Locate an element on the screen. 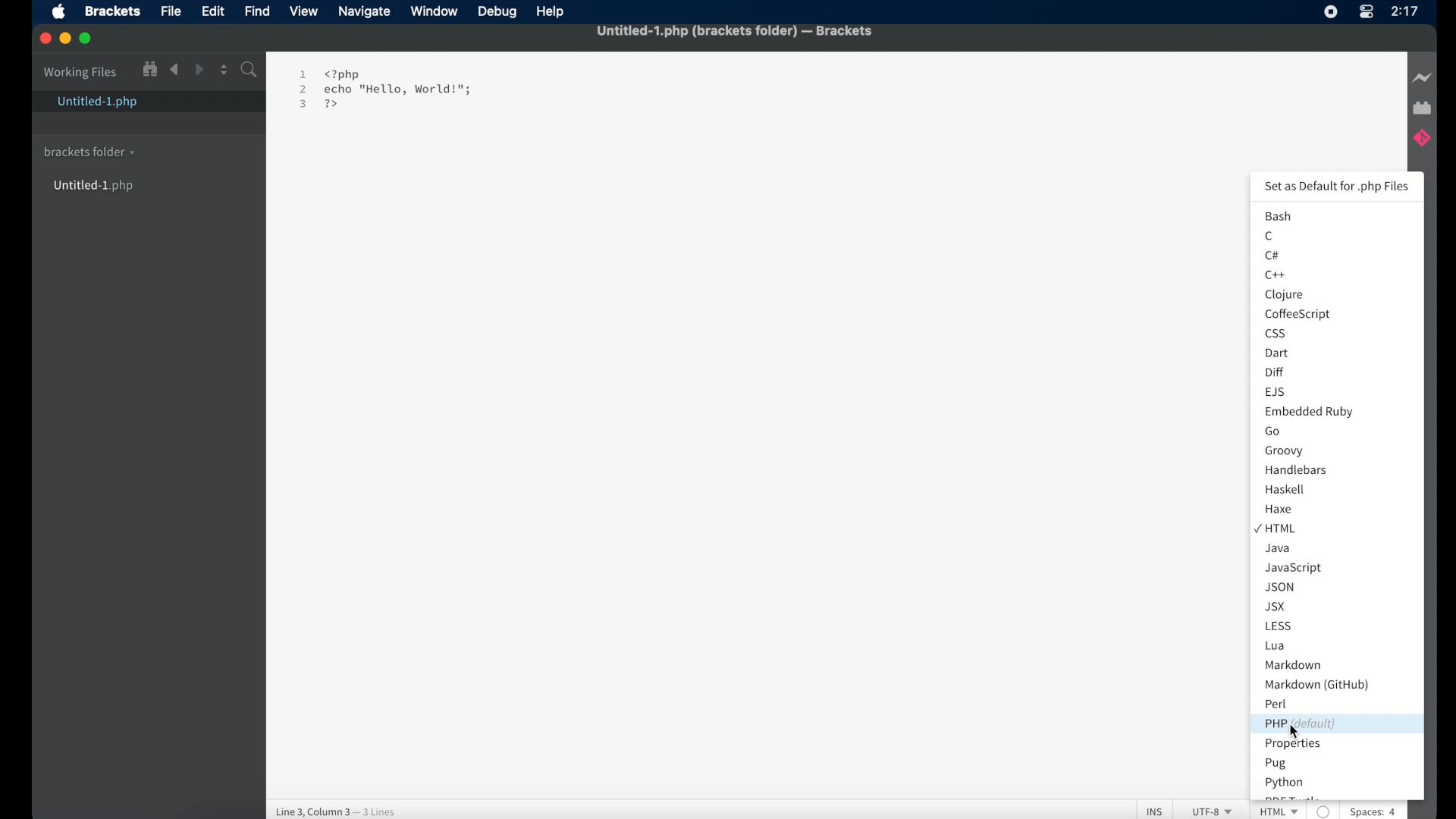  untitled-1.php is located at coordinates (96, 103).